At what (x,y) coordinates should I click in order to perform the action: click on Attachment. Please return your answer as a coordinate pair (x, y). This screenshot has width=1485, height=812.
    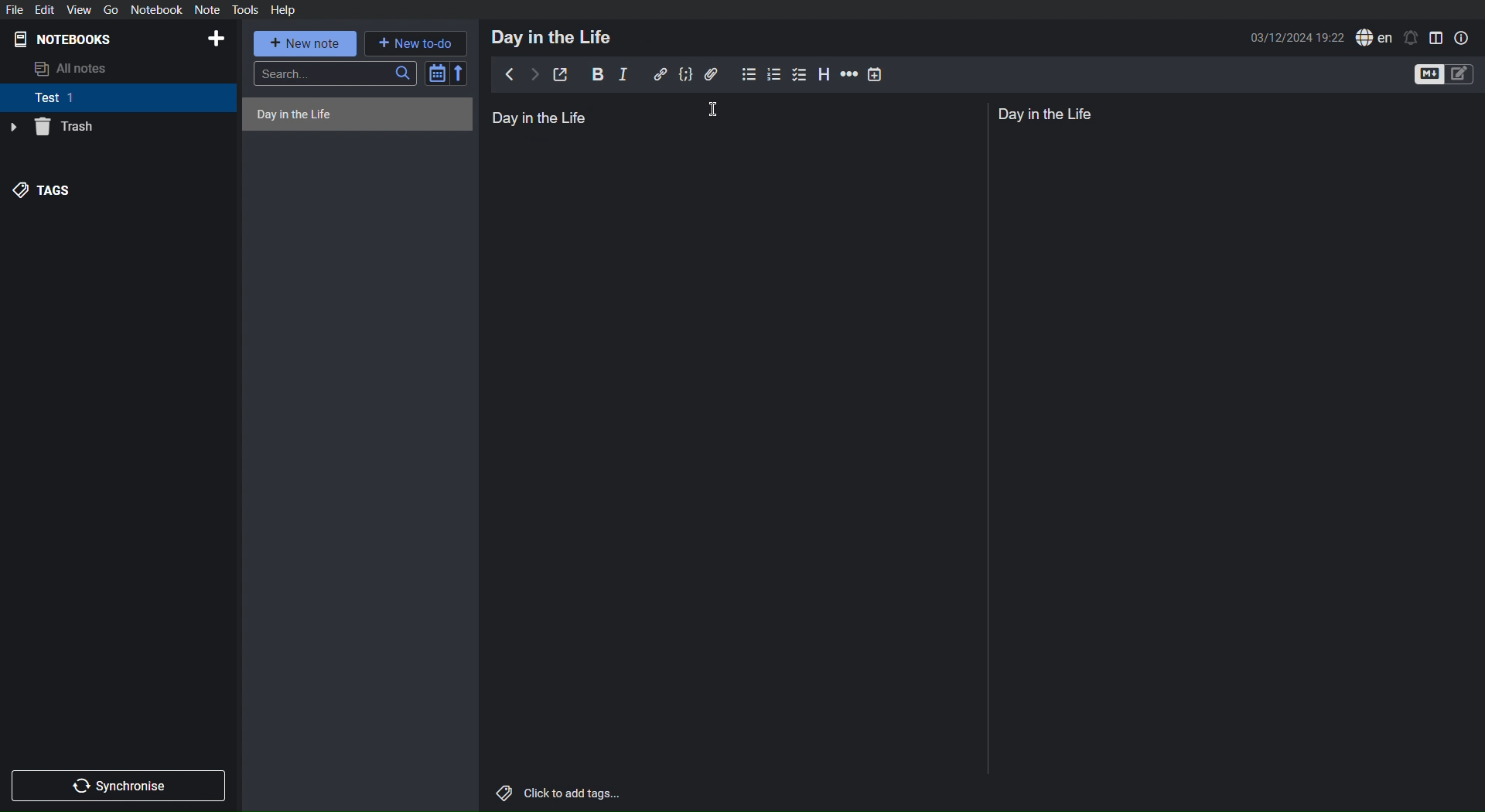
    Looking at the image, I should click on (711, 73).